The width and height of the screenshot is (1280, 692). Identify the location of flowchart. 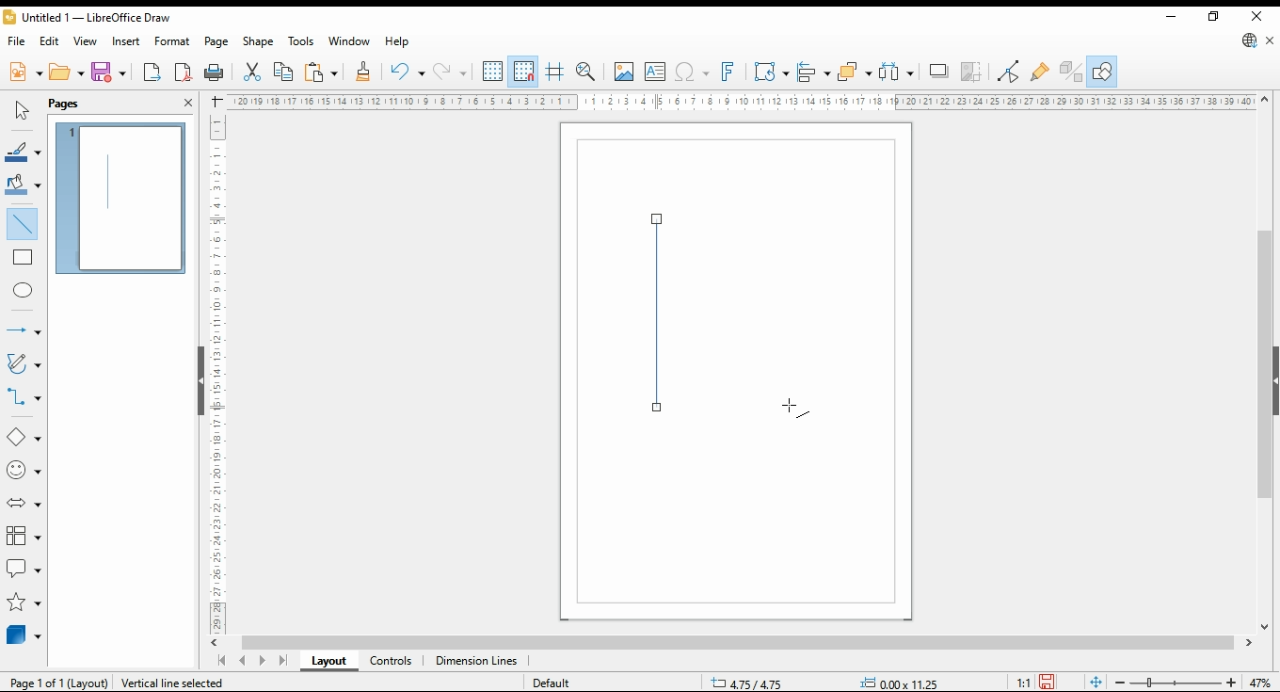
(24, 537).